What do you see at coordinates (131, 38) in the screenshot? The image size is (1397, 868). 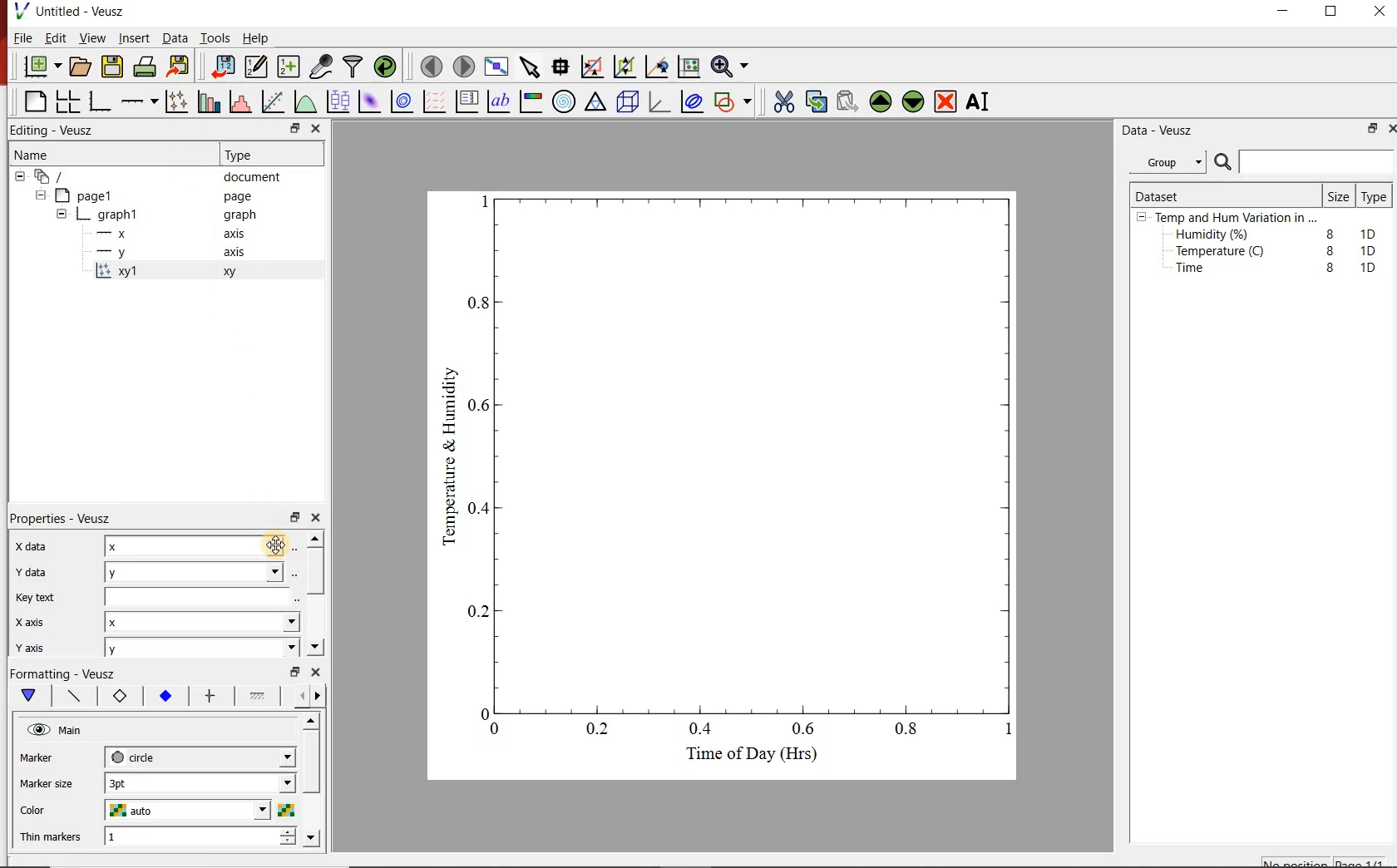 I see `Insert` at bounding box center [131, 38].